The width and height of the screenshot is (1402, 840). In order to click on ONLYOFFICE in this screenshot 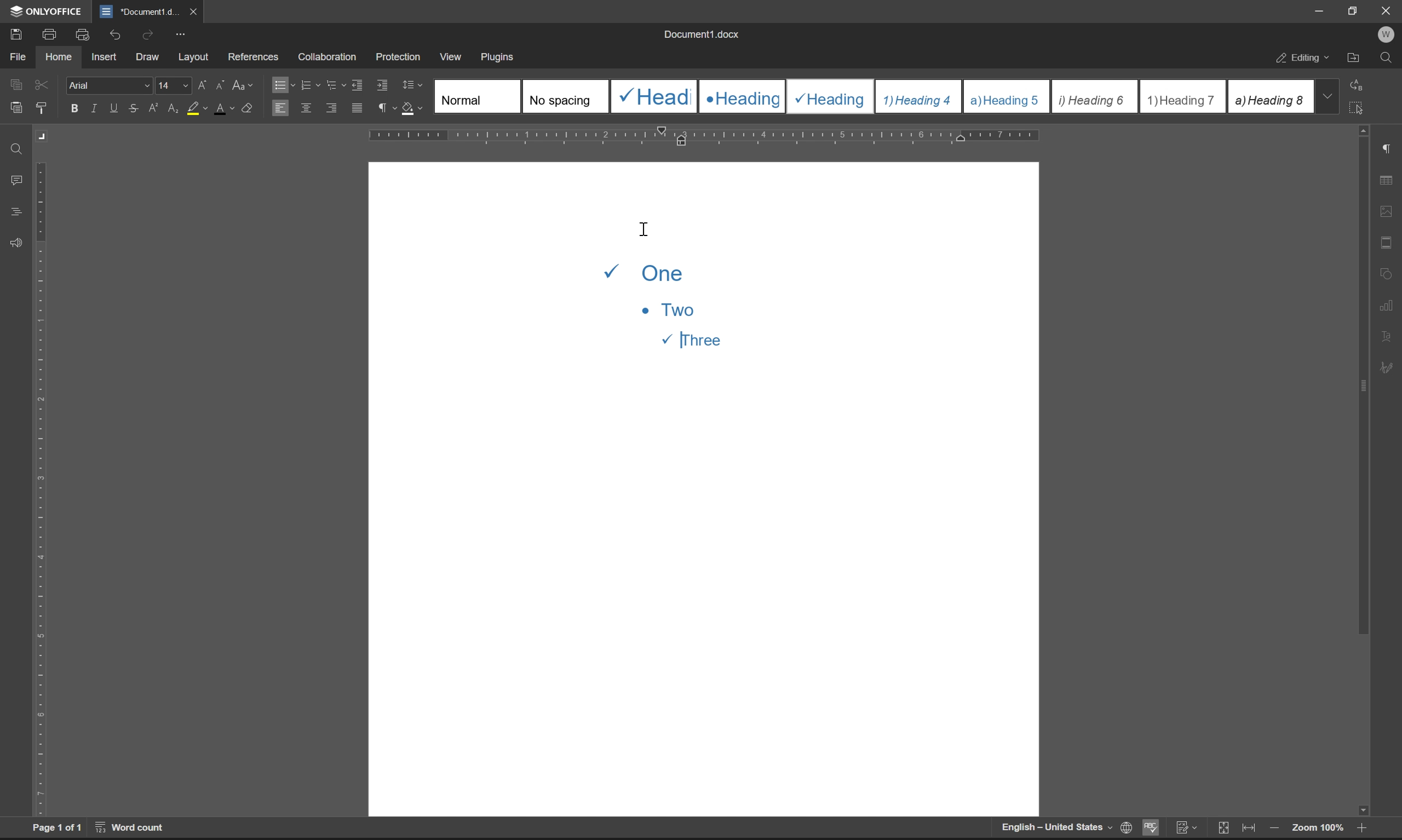, I will do `click(48, 11)`.